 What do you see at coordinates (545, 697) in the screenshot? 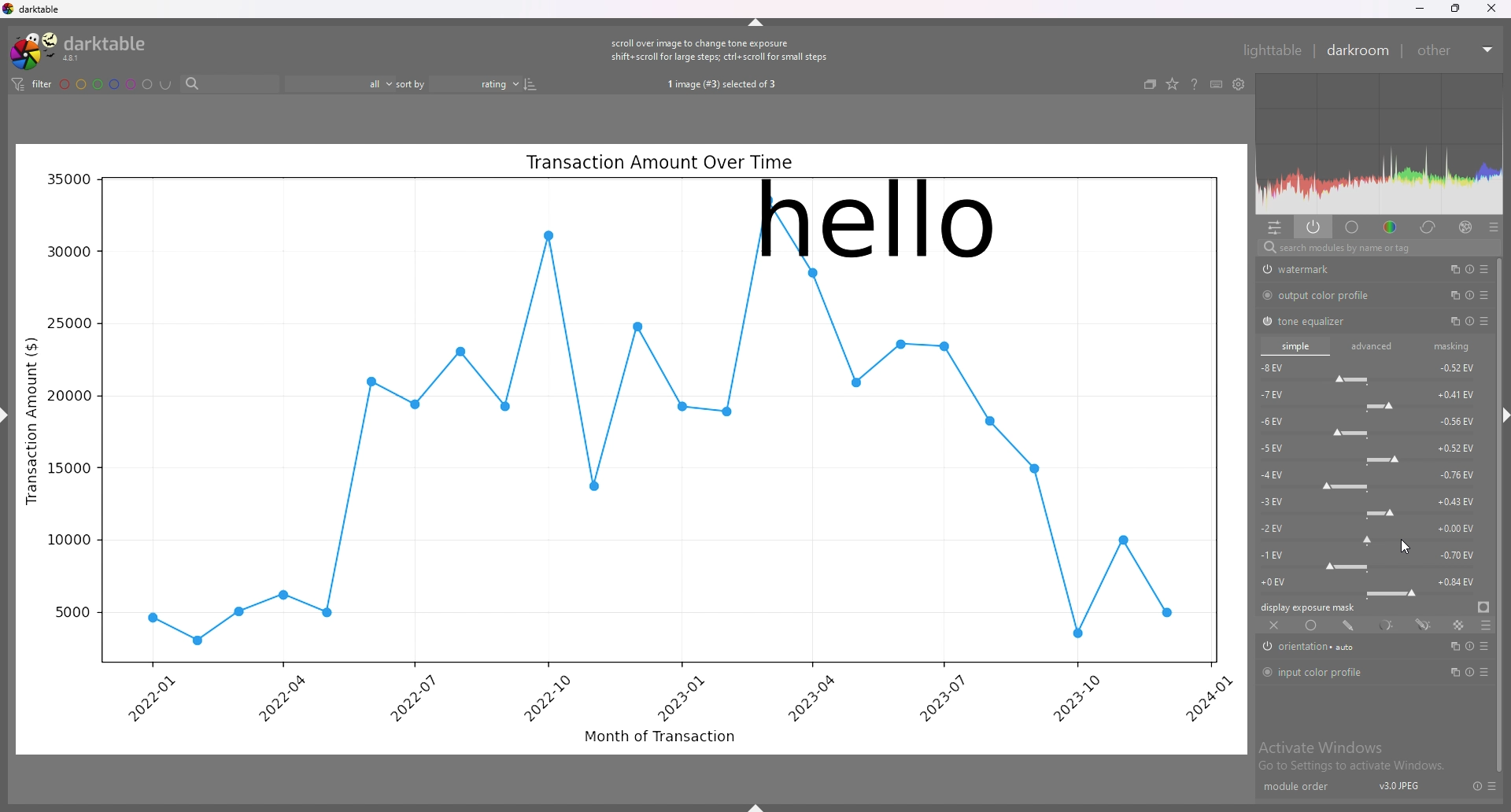
I see `2022-10` at bounding box center [545, 697].